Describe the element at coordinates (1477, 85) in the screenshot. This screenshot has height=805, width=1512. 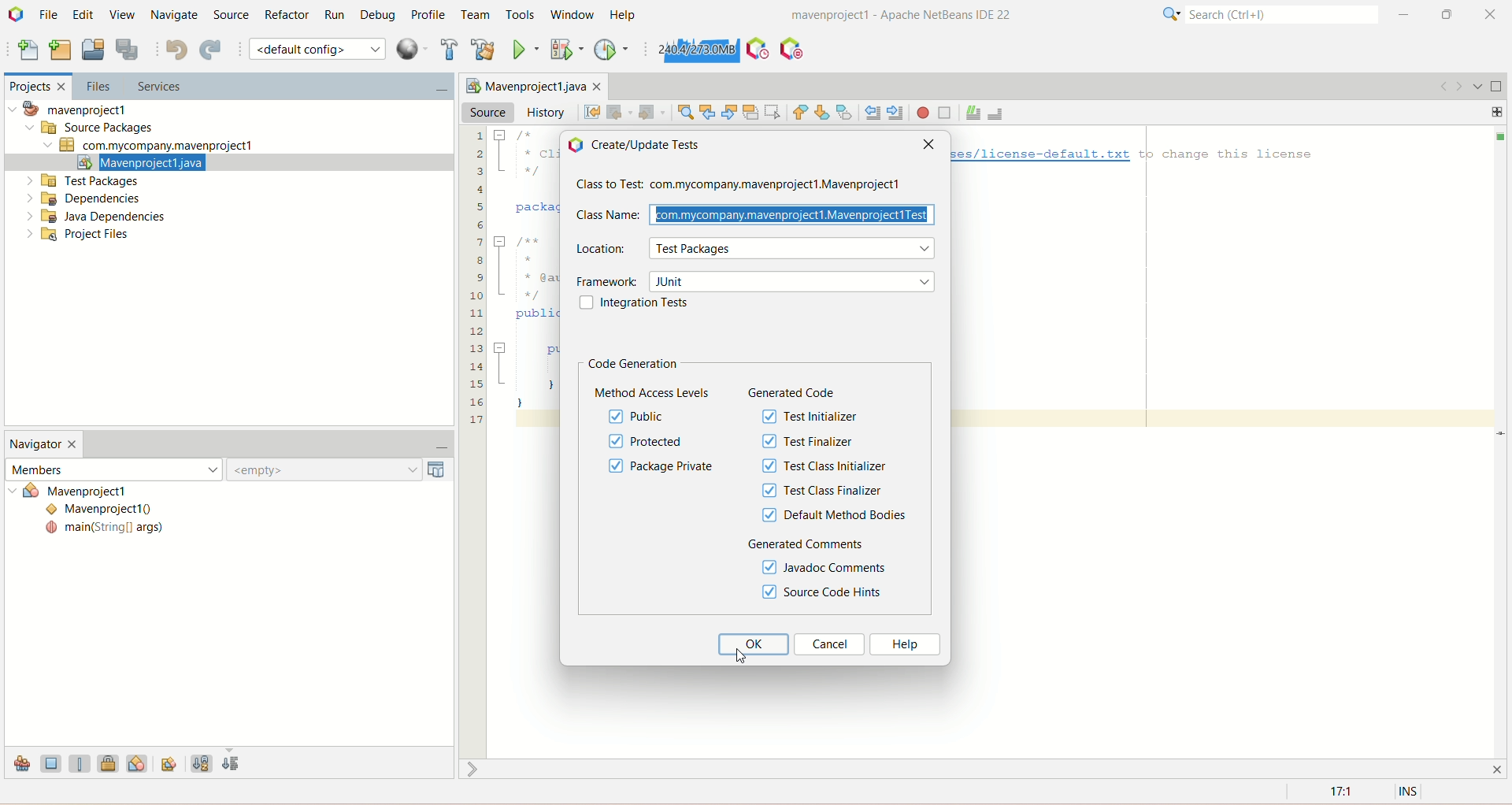
I see `show opened document list` at that location.